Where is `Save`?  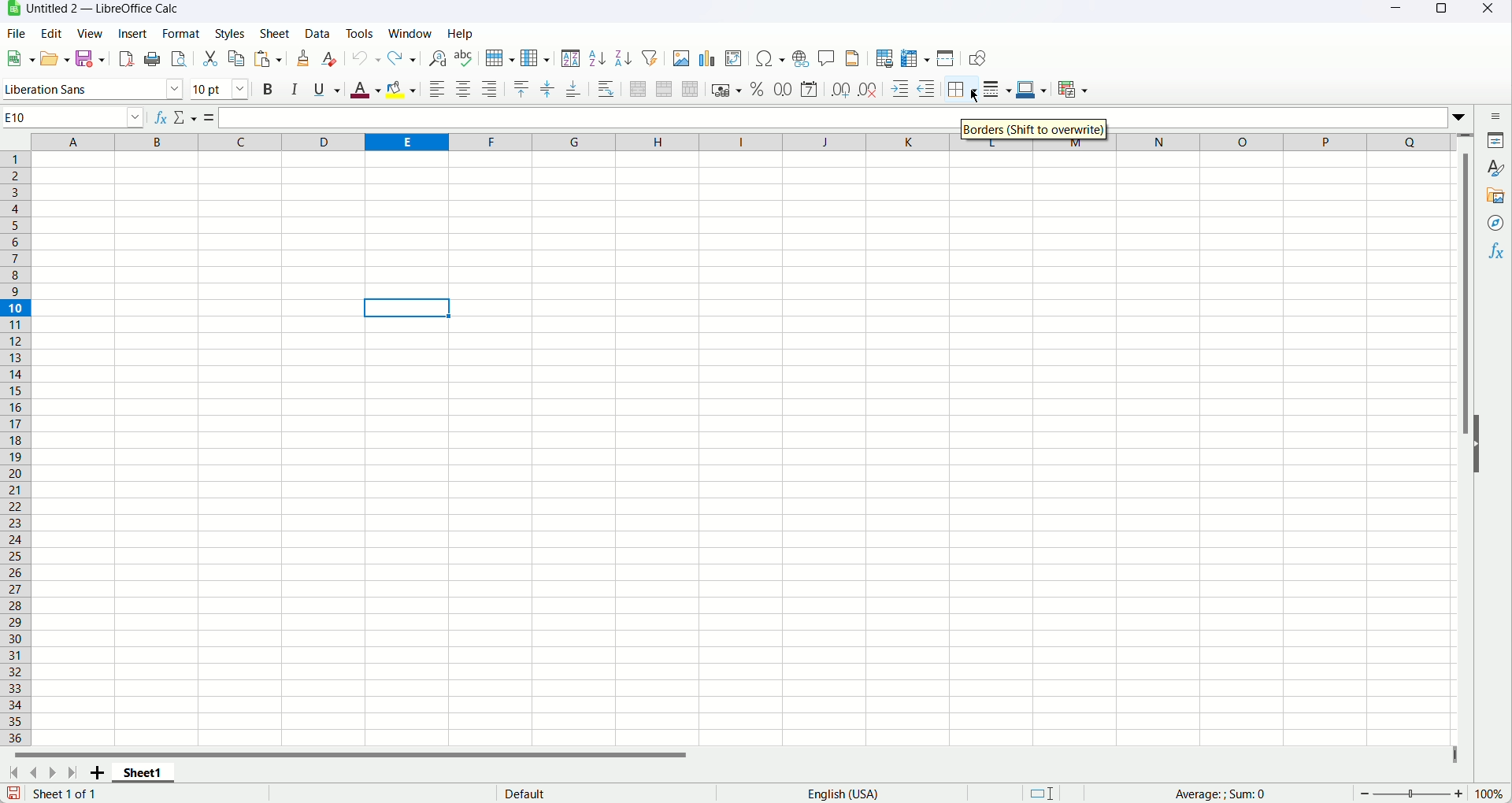
Save is located at coordinates (13, 794).